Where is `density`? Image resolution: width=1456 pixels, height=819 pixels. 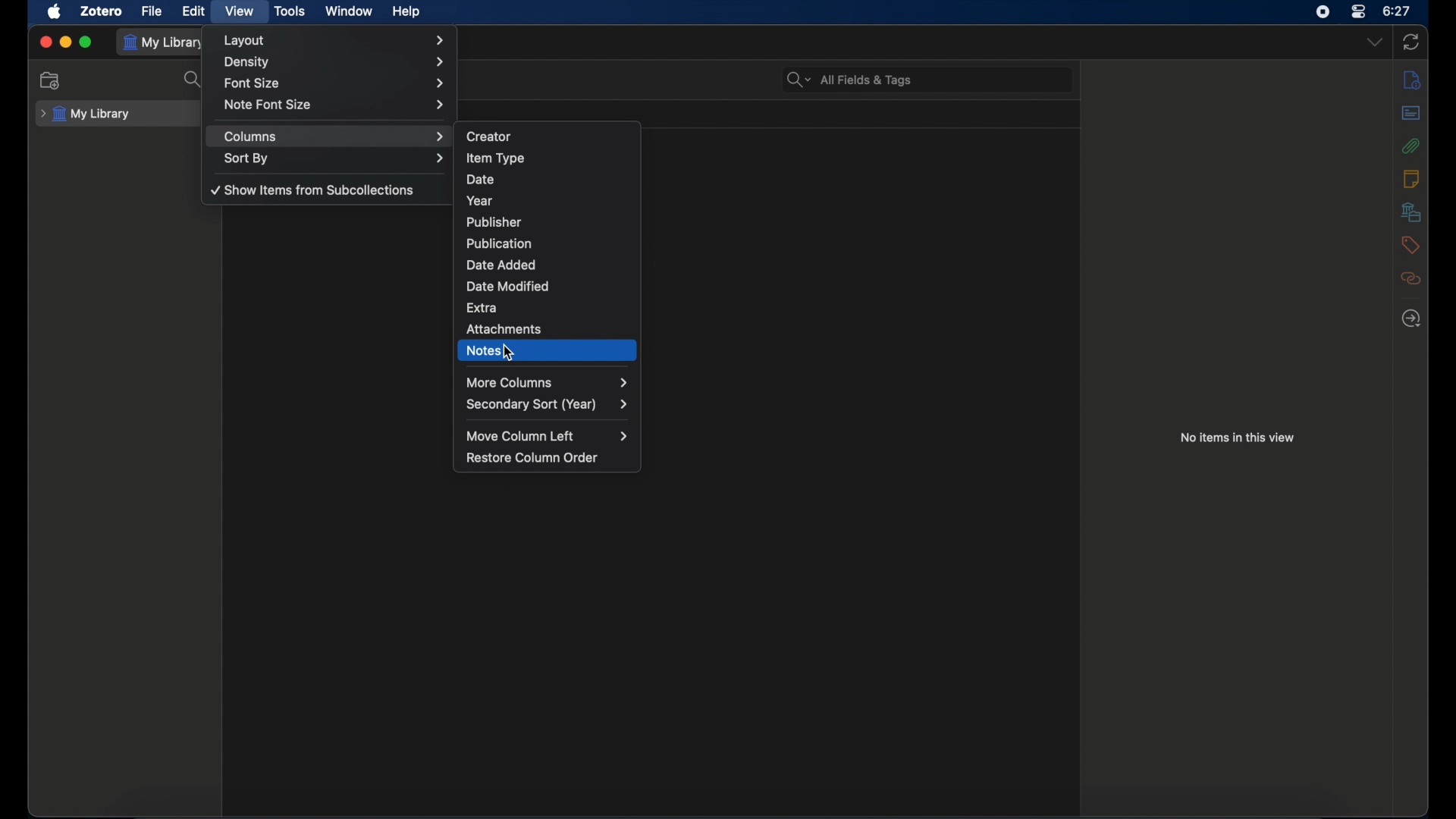
density is located at coordinates (335, 62).